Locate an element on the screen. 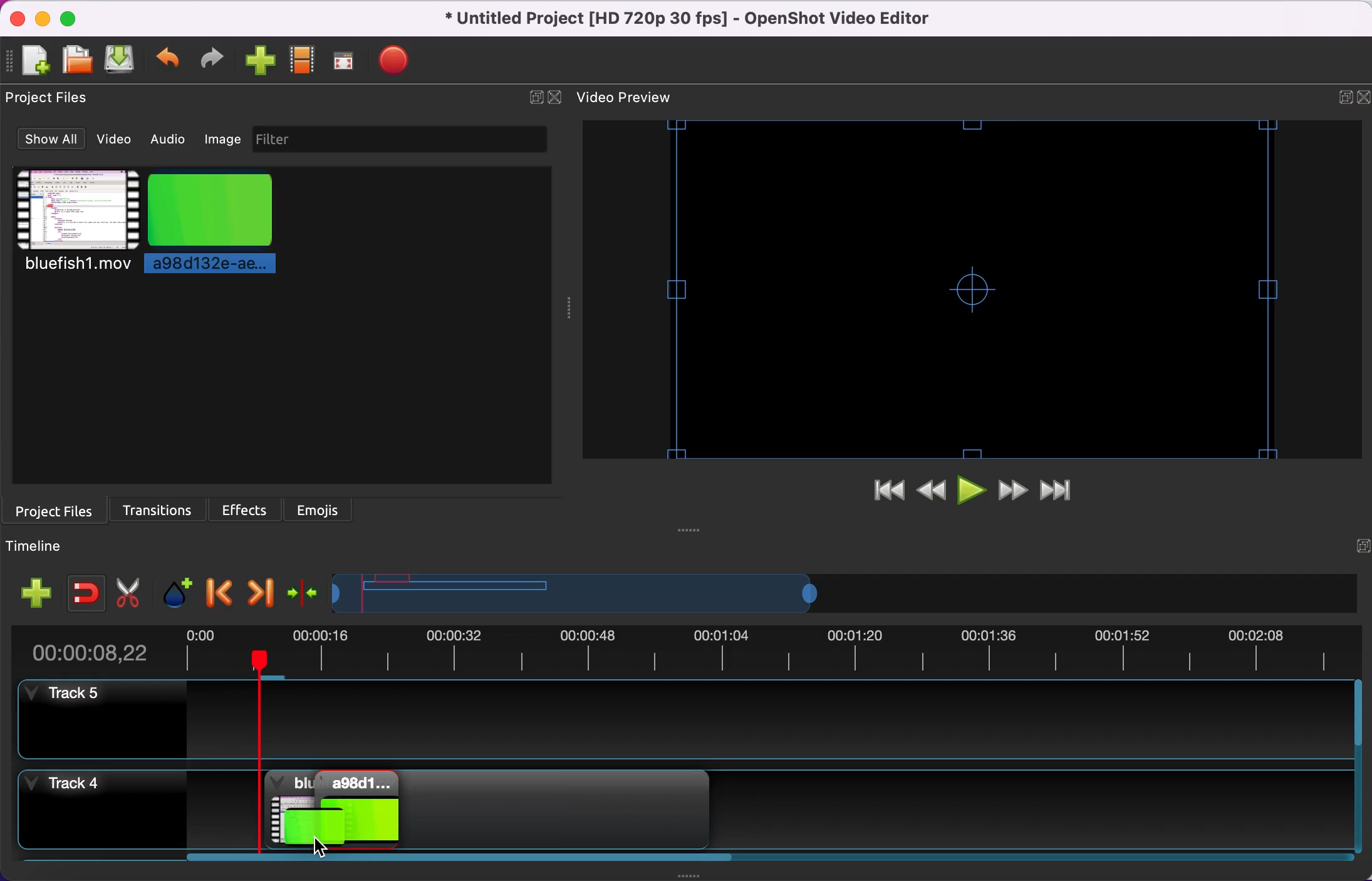 Image resolution: width=1372 pixels, height=881 pixels. filter is located at coordinates (398, 140).